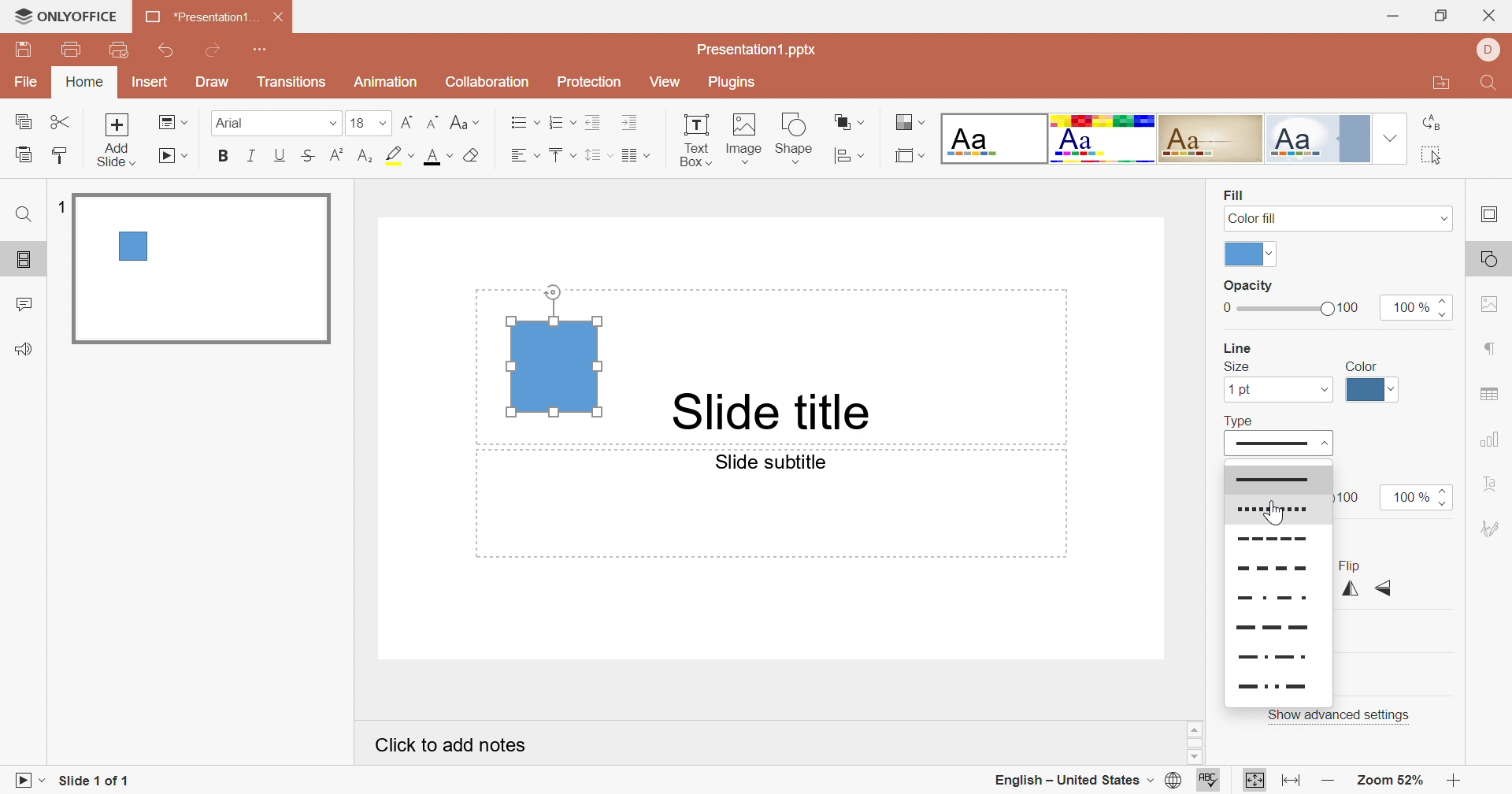  What do you see at coordinates (769, 410) in the screenshot?
I see `Slide title` at bounding box center [769, 410].